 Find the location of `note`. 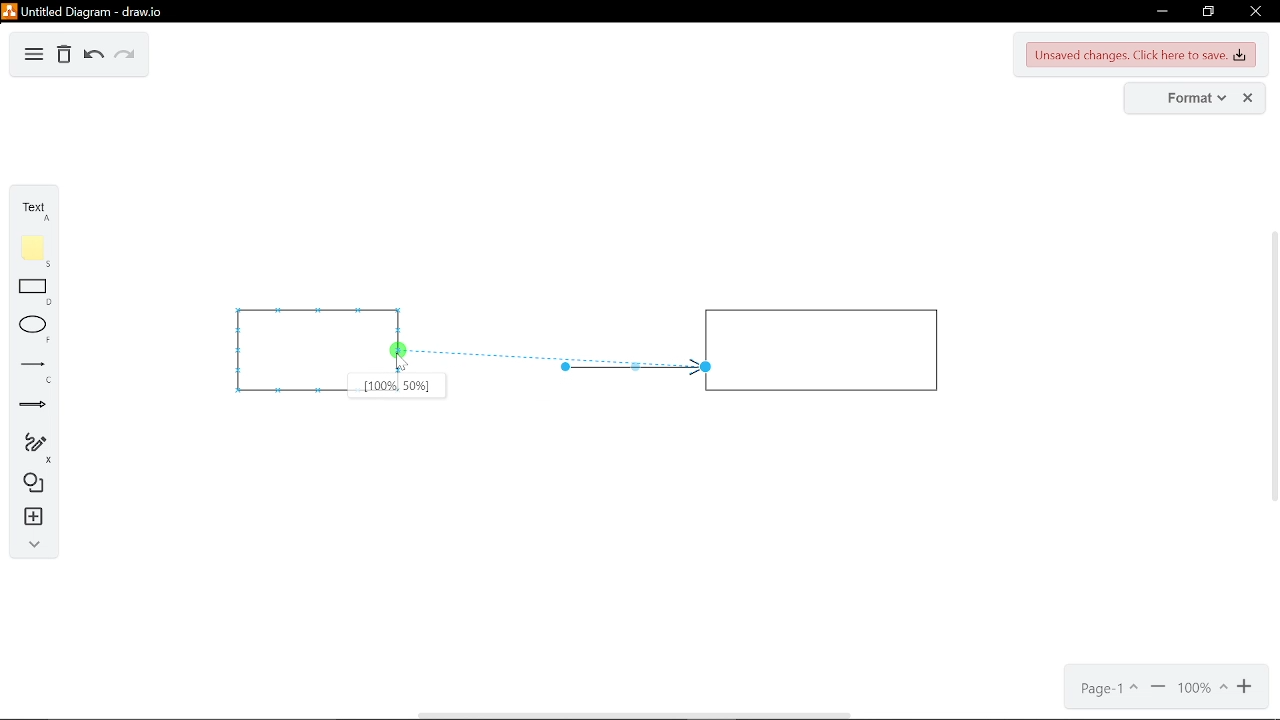

note is located at coordinates (32, 250).